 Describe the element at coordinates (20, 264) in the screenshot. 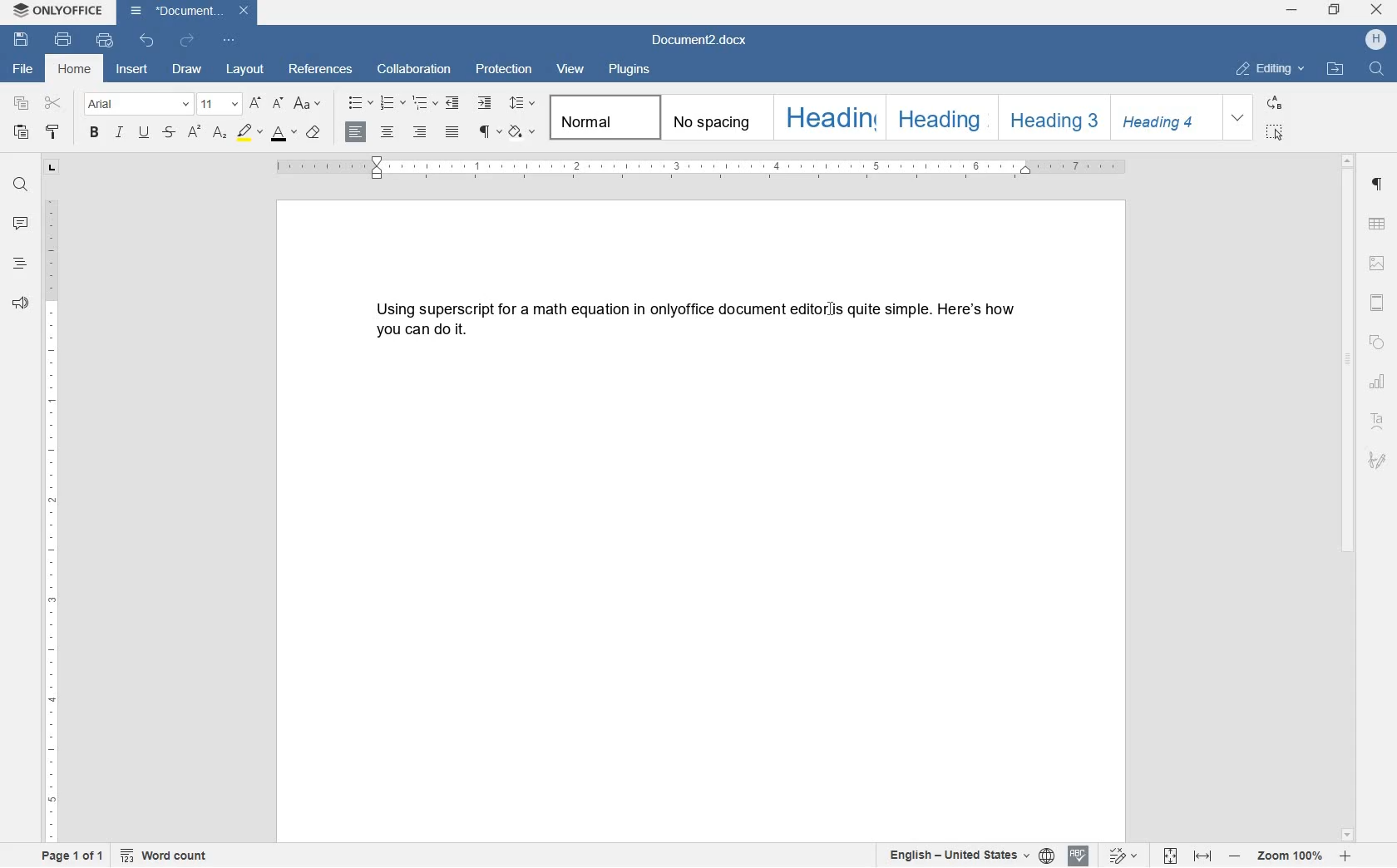

I see `headings` at that location.